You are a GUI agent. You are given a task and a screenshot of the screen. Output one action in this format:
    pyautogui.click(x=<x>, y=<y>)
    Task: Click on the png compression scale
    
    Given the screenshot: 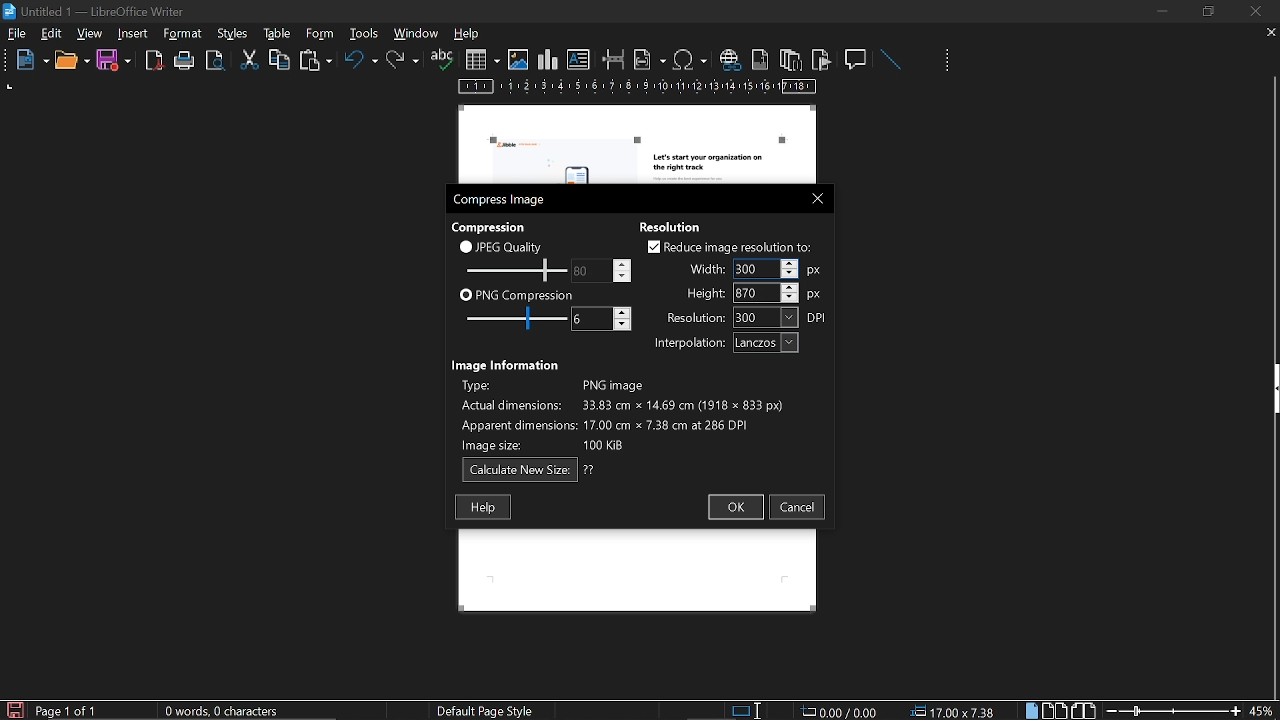 What is the action you would take?
    pyautogui.click(x=511, y=318)
    